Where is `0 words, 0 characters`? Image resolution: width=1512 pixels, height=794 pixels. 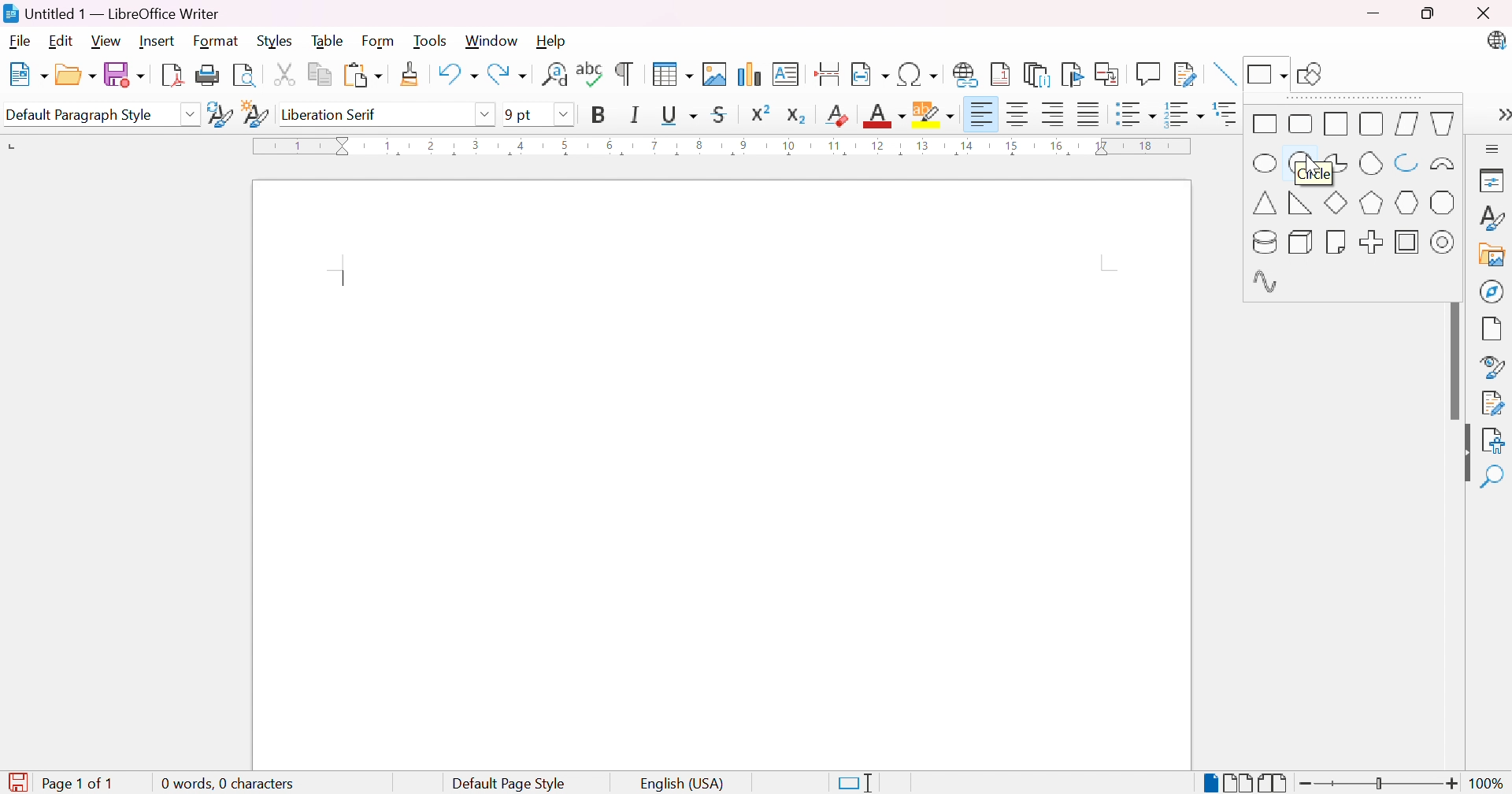 0 words, 0 characters is located at coordinates (226, 781).